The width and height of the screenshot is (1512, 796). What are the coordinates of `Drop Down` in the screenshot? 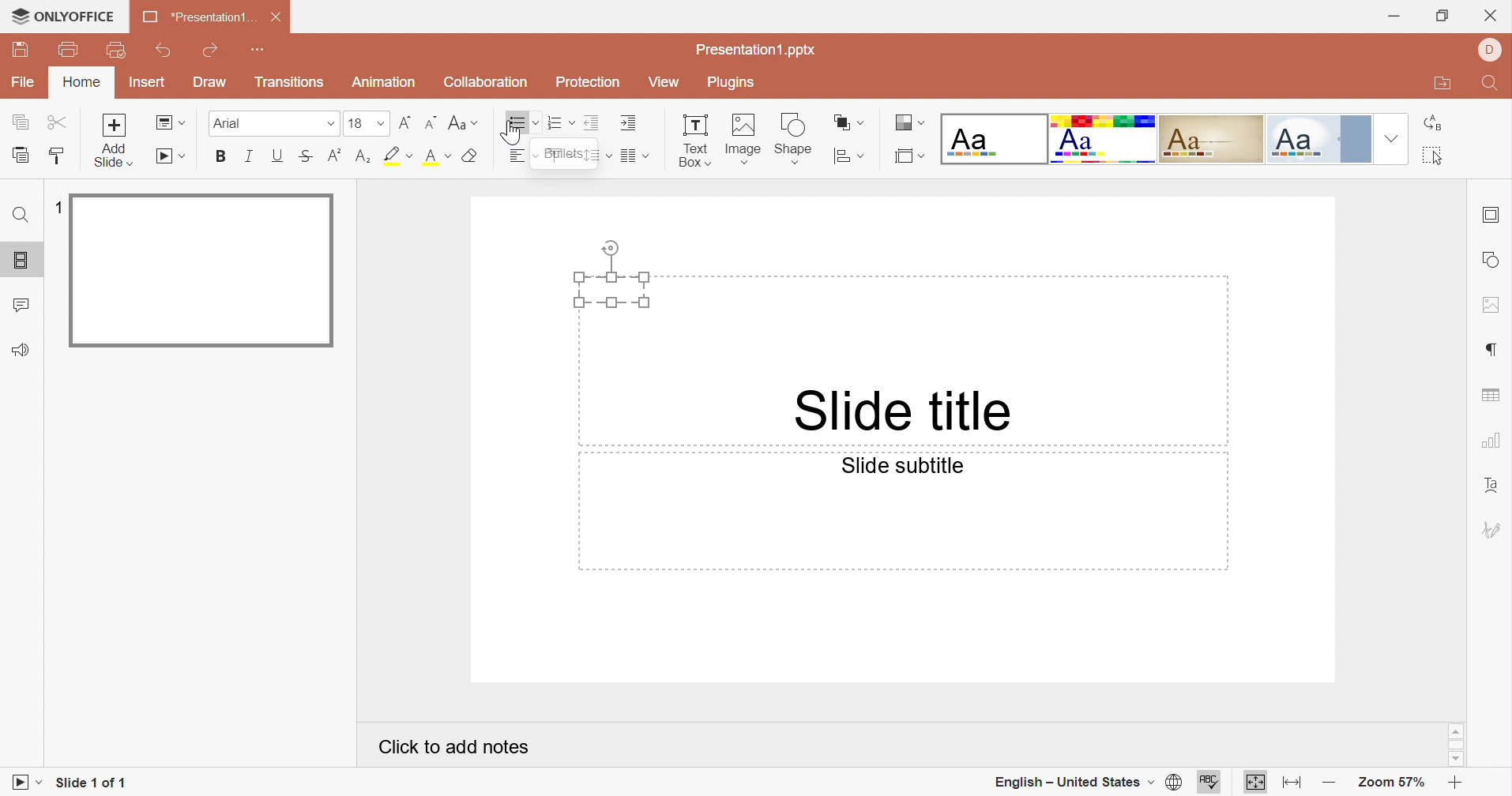 It's located at (379, 123).